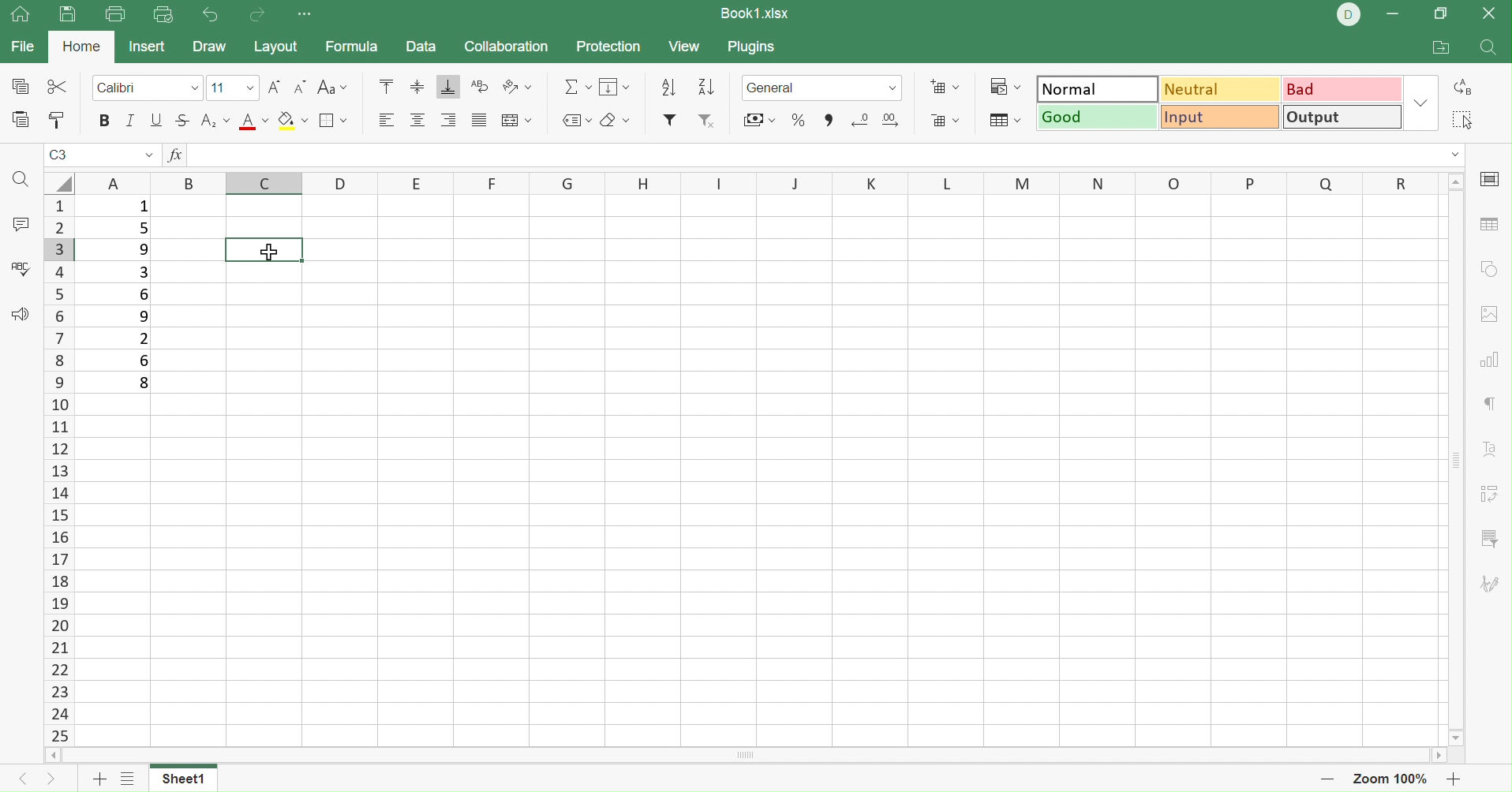 The height and width of the screenshot is (792, 1512). I want to click on Sort descending, so click(672, 88).